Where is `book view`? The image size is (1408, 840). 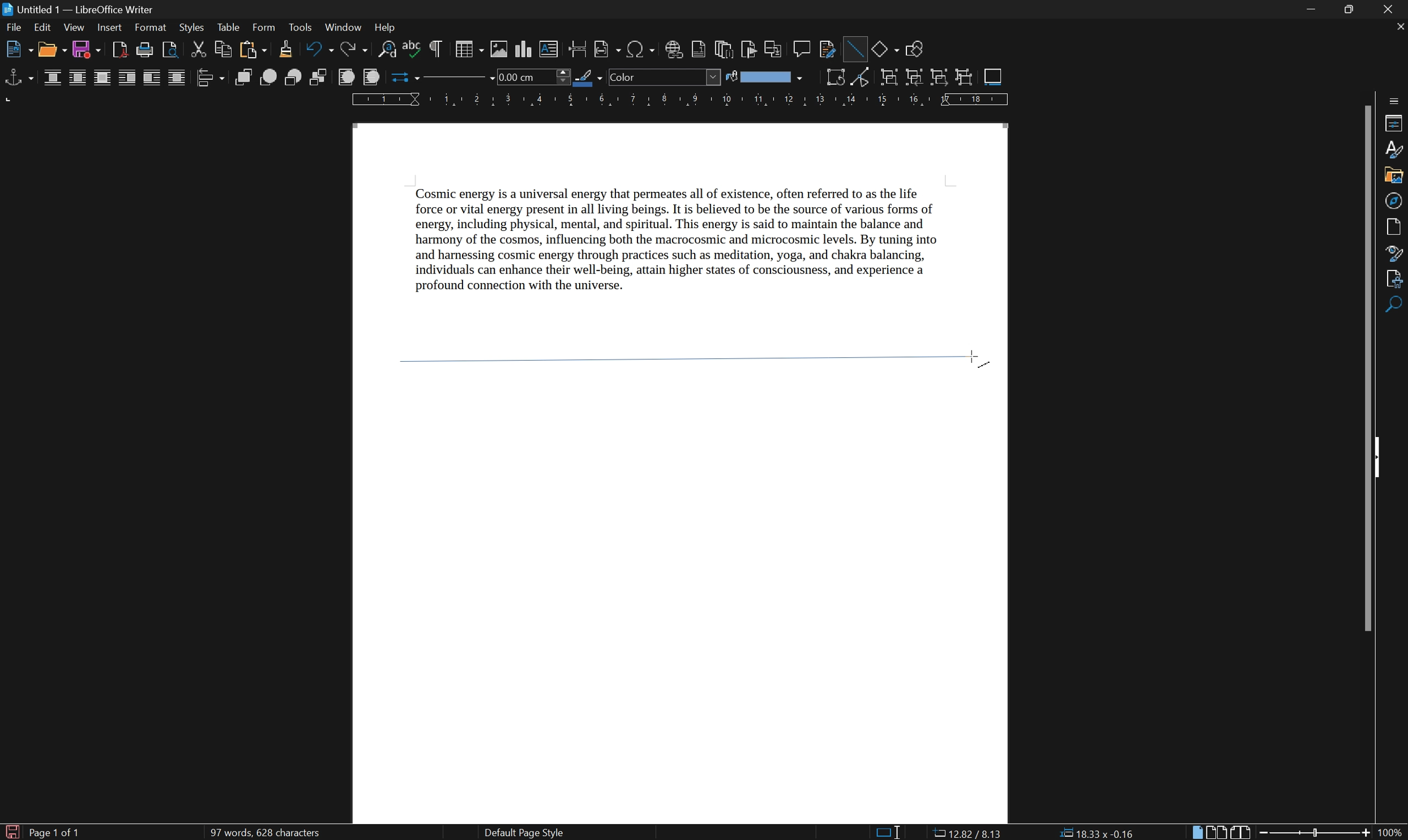 book view is located at coordinates (1241, 832).